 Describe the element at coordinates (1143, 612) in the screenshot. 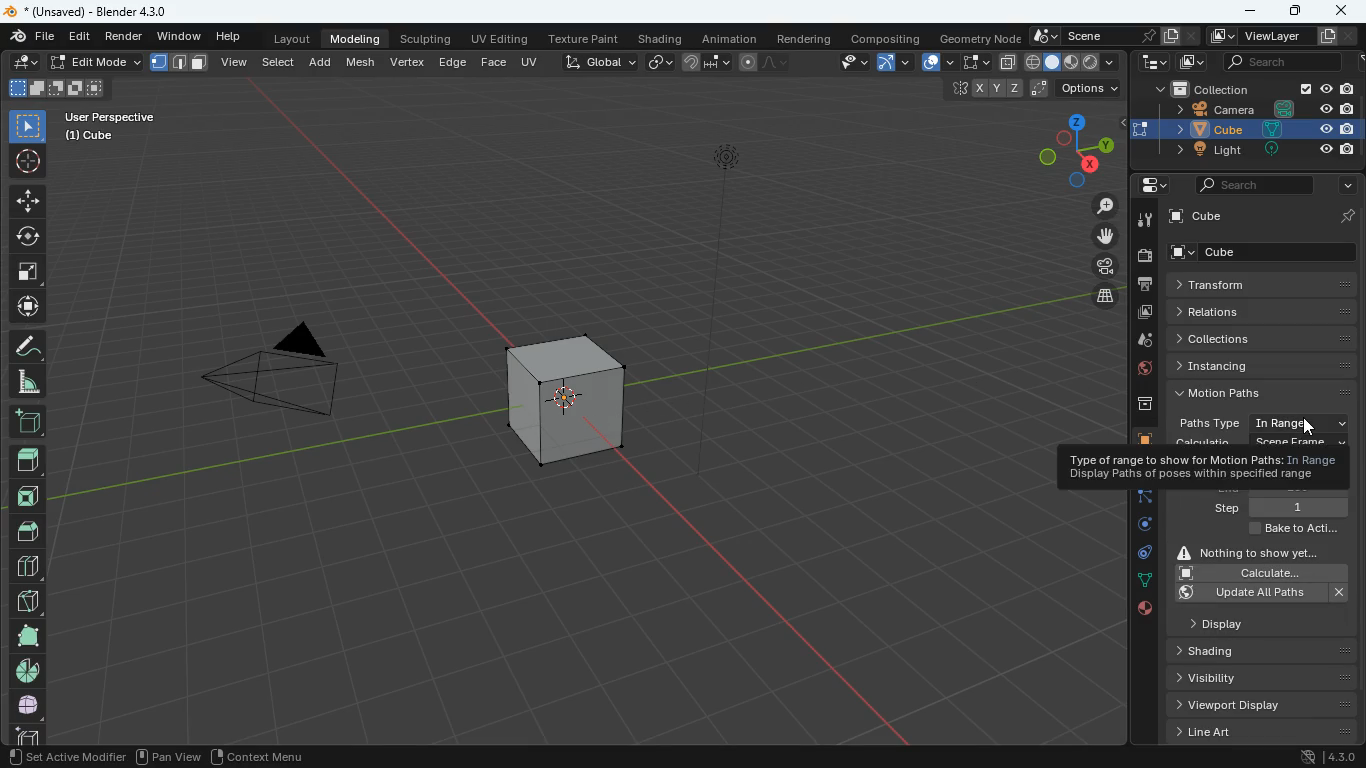

I see `public` at that location.